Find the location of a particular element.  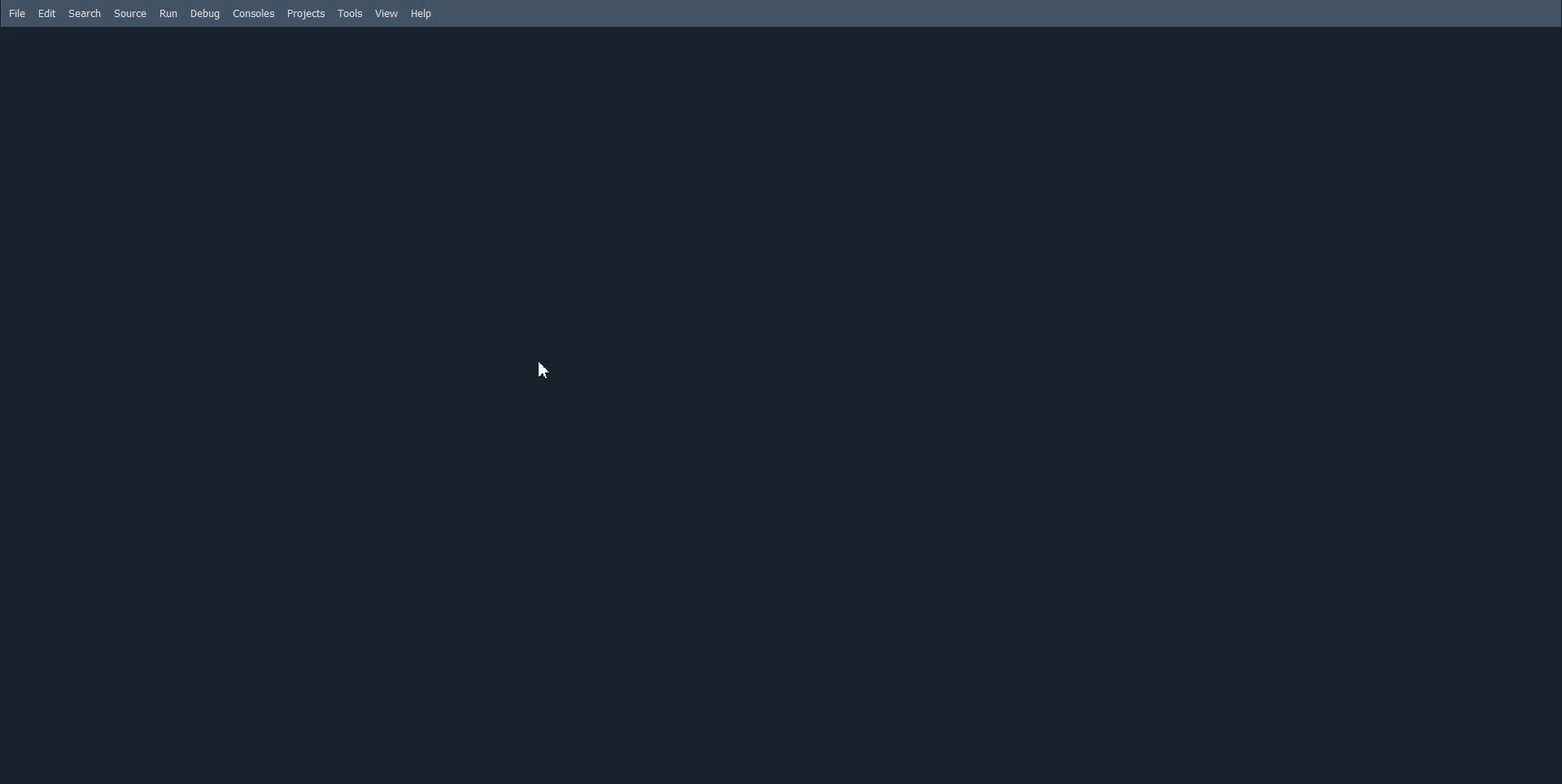

Tools is located at coordinates (351, 13).